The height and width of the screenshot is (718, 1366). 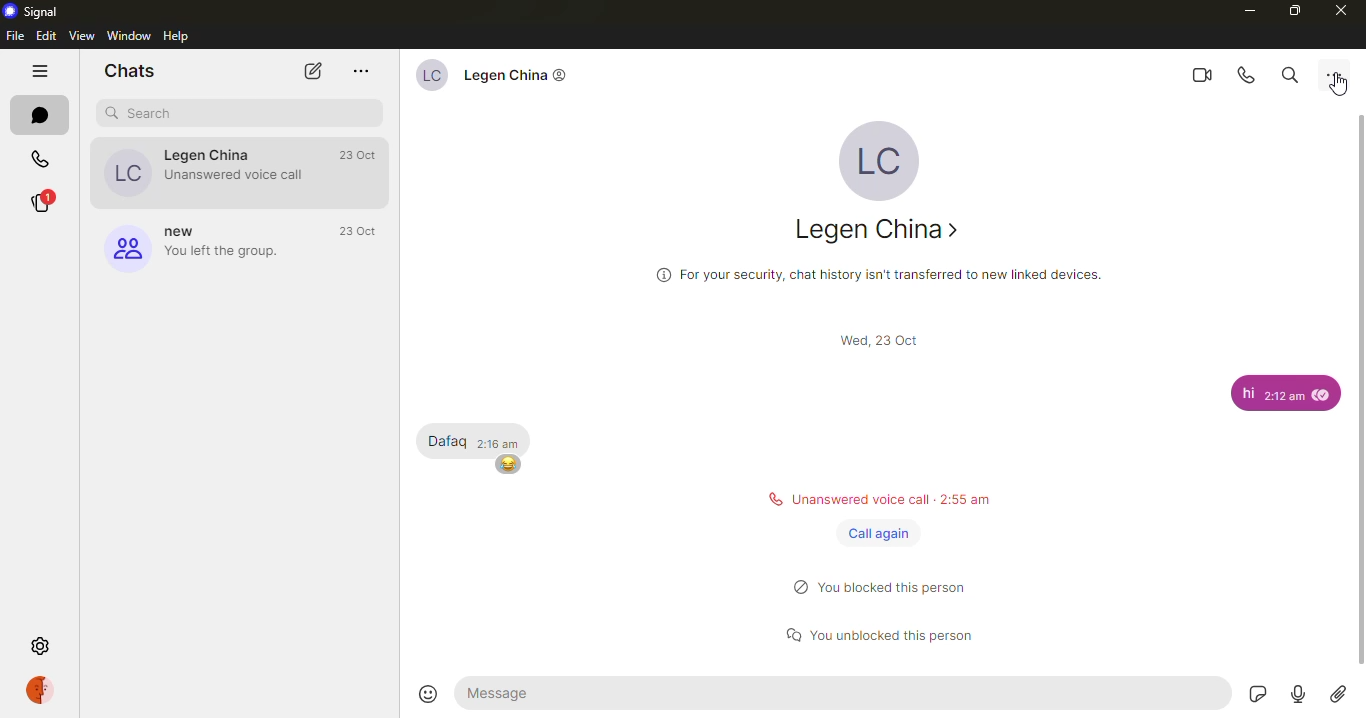 I want to click on status message, so click(x=890, y=585).